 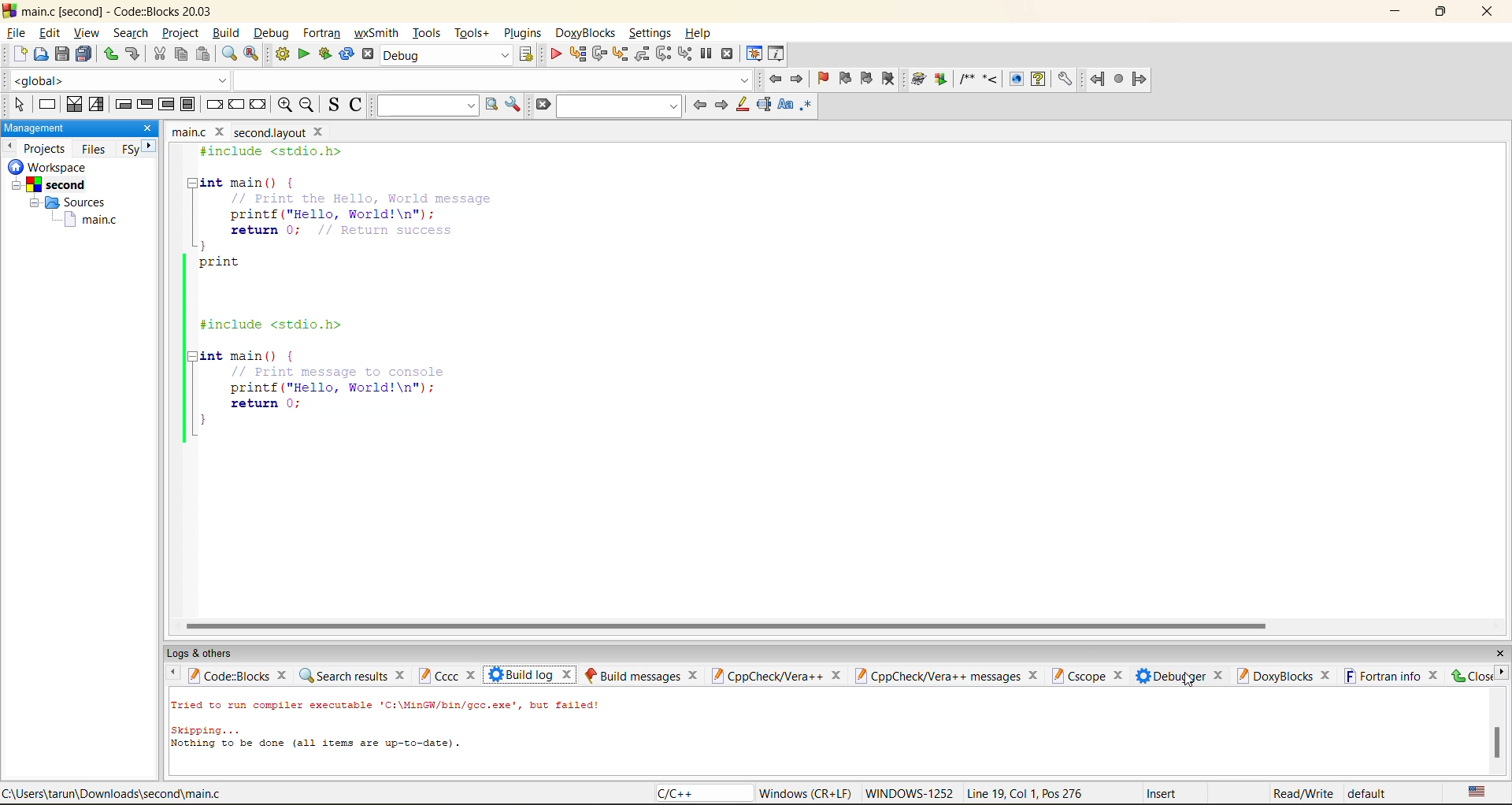 I want to click on edit, so click(x=50, y=31).